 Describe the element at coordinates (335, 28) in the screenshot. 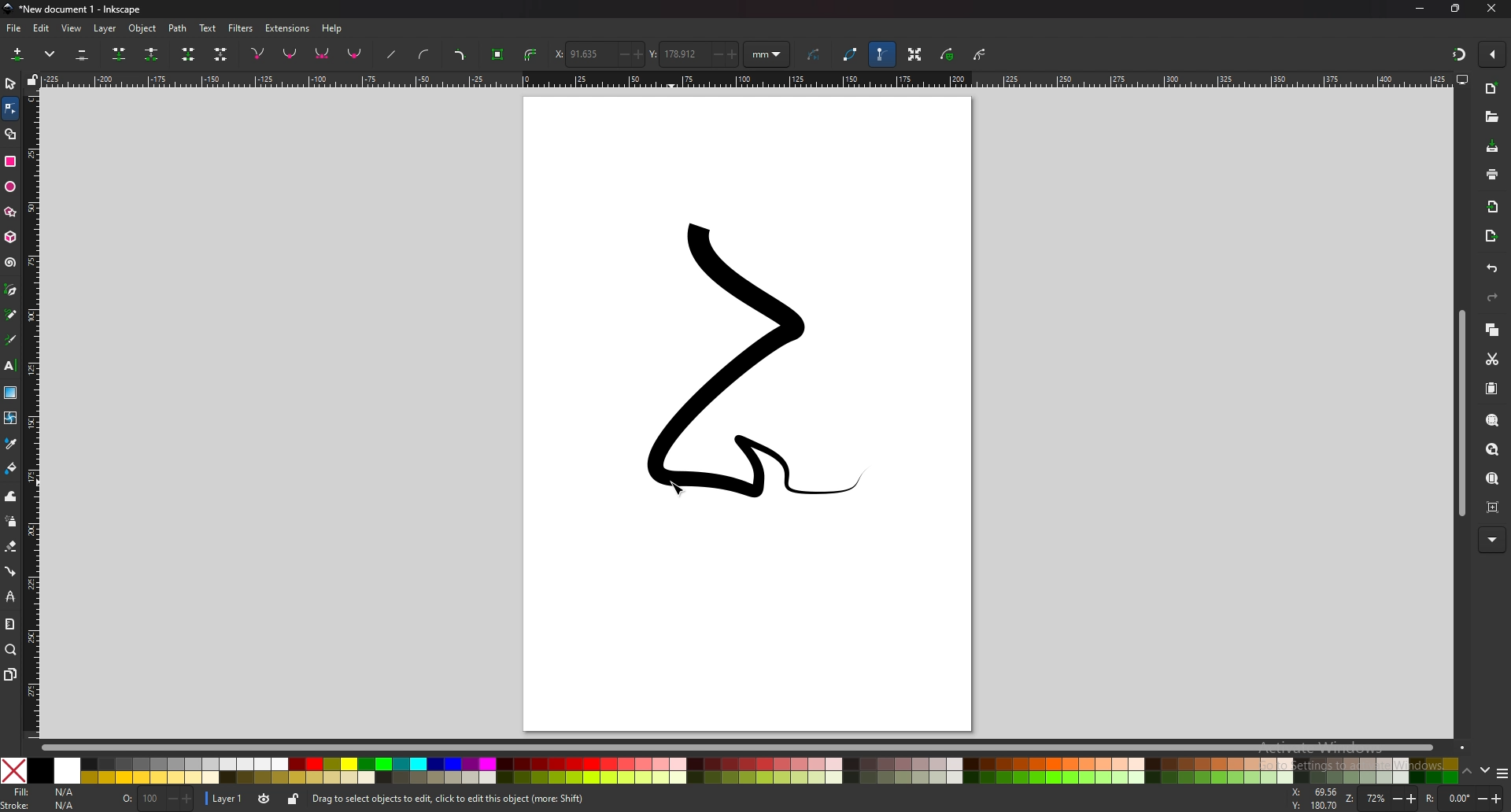

I see `help` at that location.